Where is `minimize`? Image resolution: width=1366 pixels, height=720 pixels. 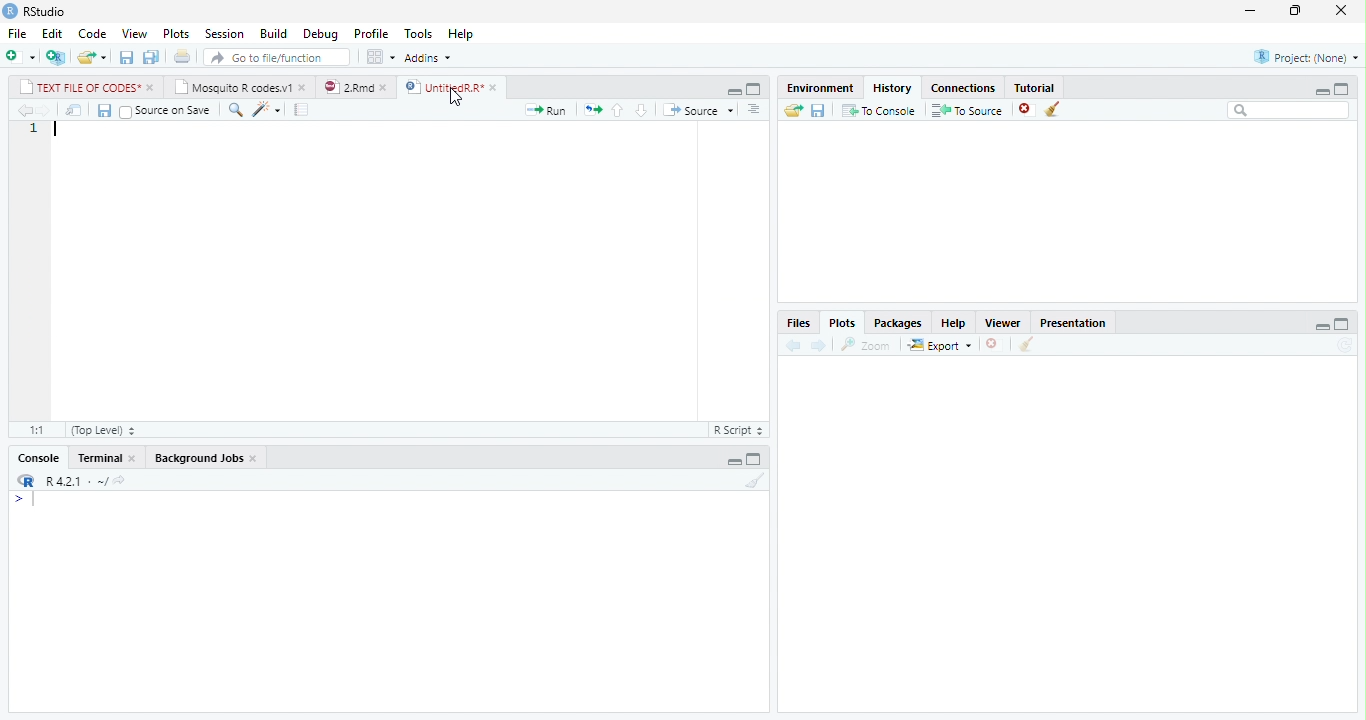 minimize is located at coordinates (1250, 10).